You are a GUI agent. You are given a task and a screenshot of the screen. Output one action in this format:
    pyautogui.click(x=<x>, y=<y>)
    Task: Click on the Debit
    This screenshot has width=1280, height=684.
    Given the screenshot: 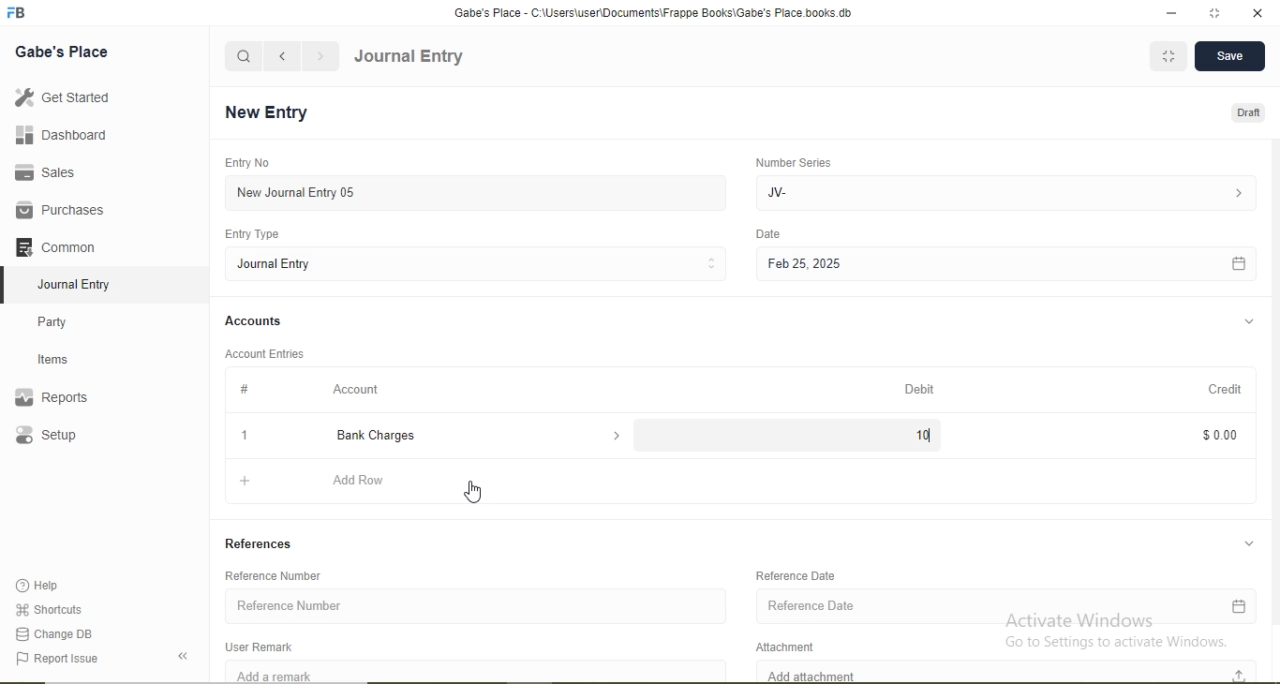 What is the action you would take?
    pyautogui.click(x=922, y=390)
    